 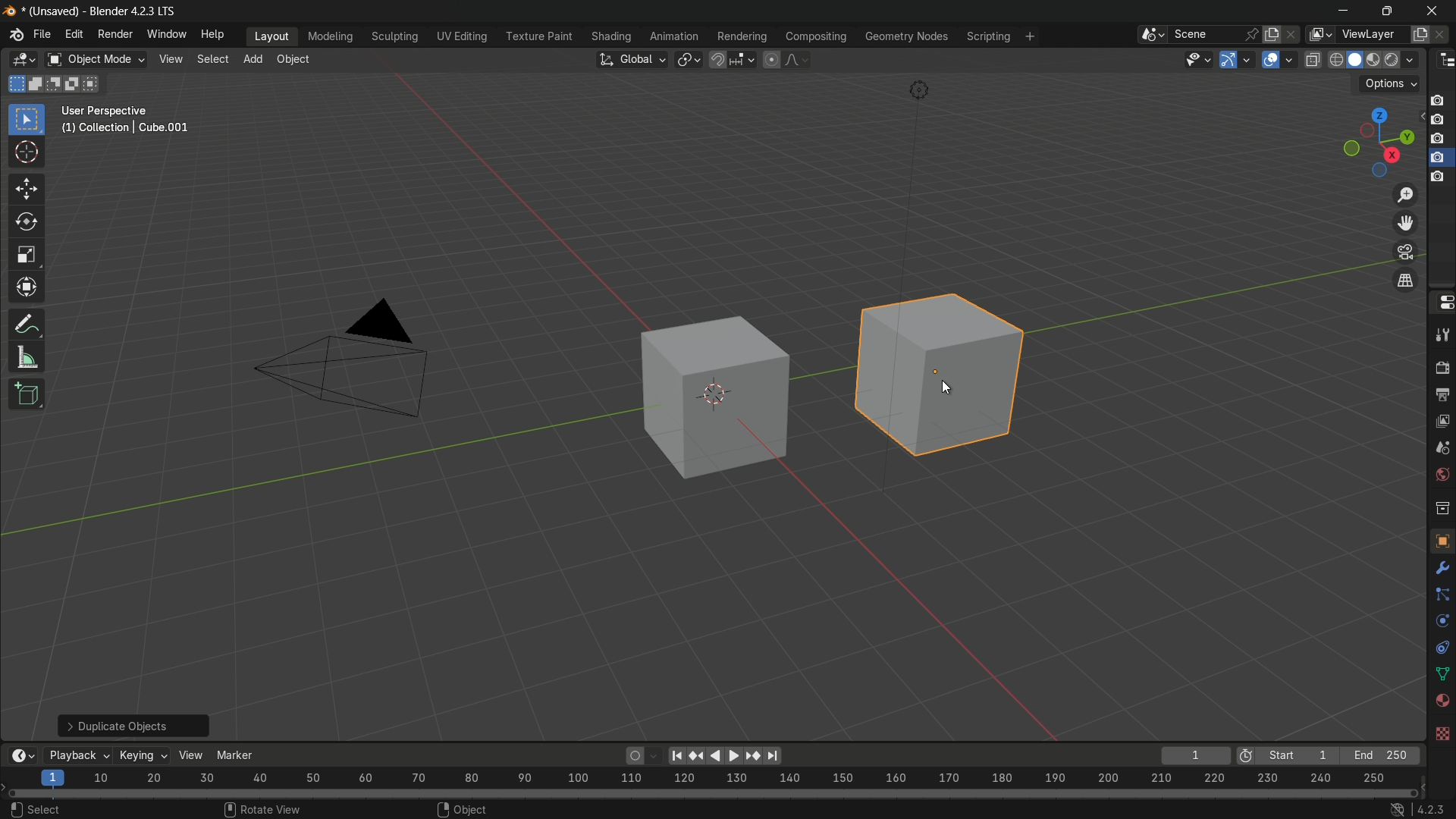 What do you see at coordinates (798, 59) in the screenshot?
I see `propotional editing fall off` at bounding box center [798, 59].